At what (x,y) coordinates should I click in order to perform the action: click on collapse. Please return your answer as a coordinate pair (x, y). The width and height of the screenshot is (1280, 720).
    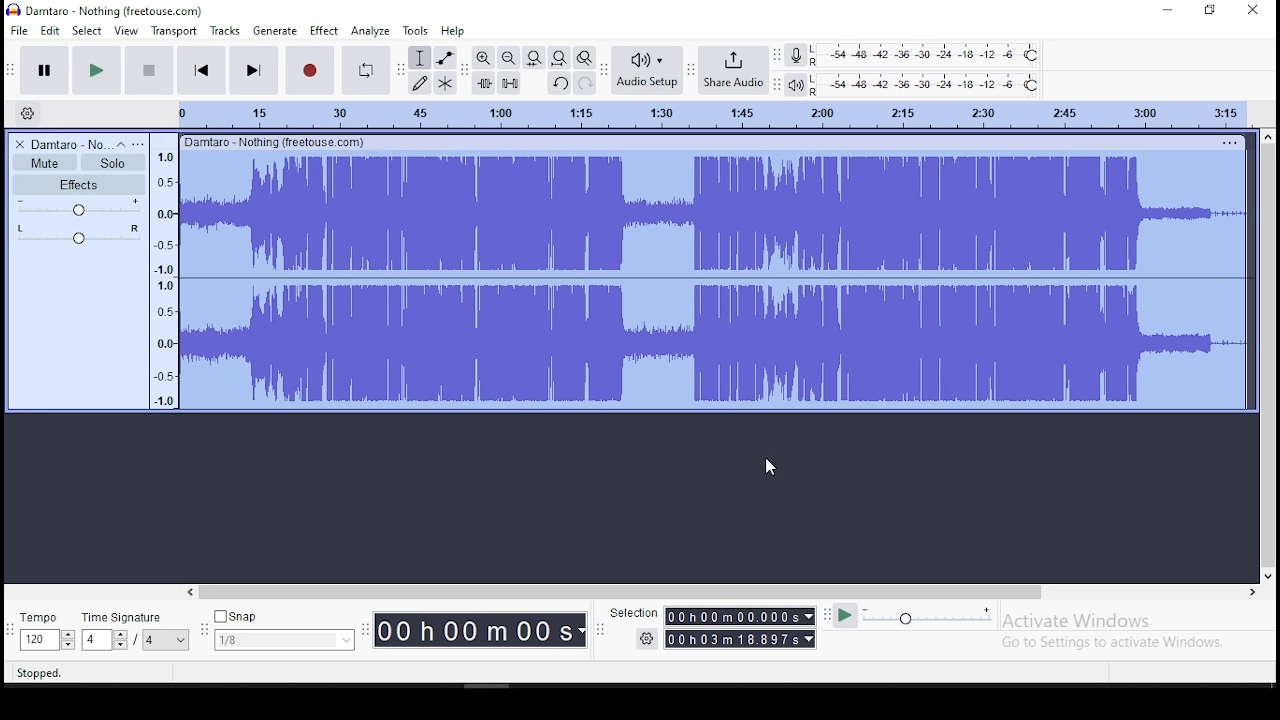
    Looking at the image, I should click on (121, 143).